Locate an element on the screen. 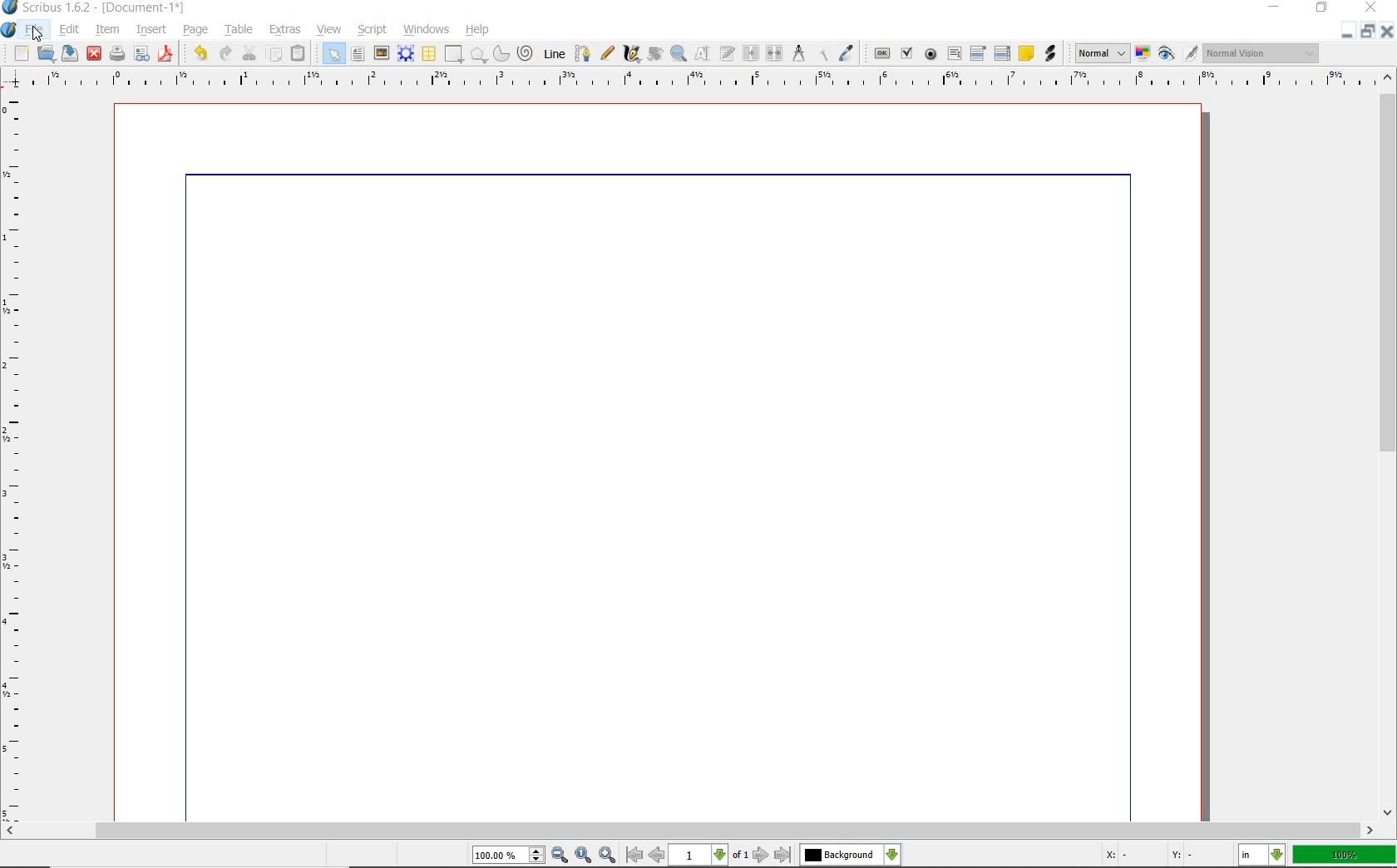  open is located at coordinates (47, 53).